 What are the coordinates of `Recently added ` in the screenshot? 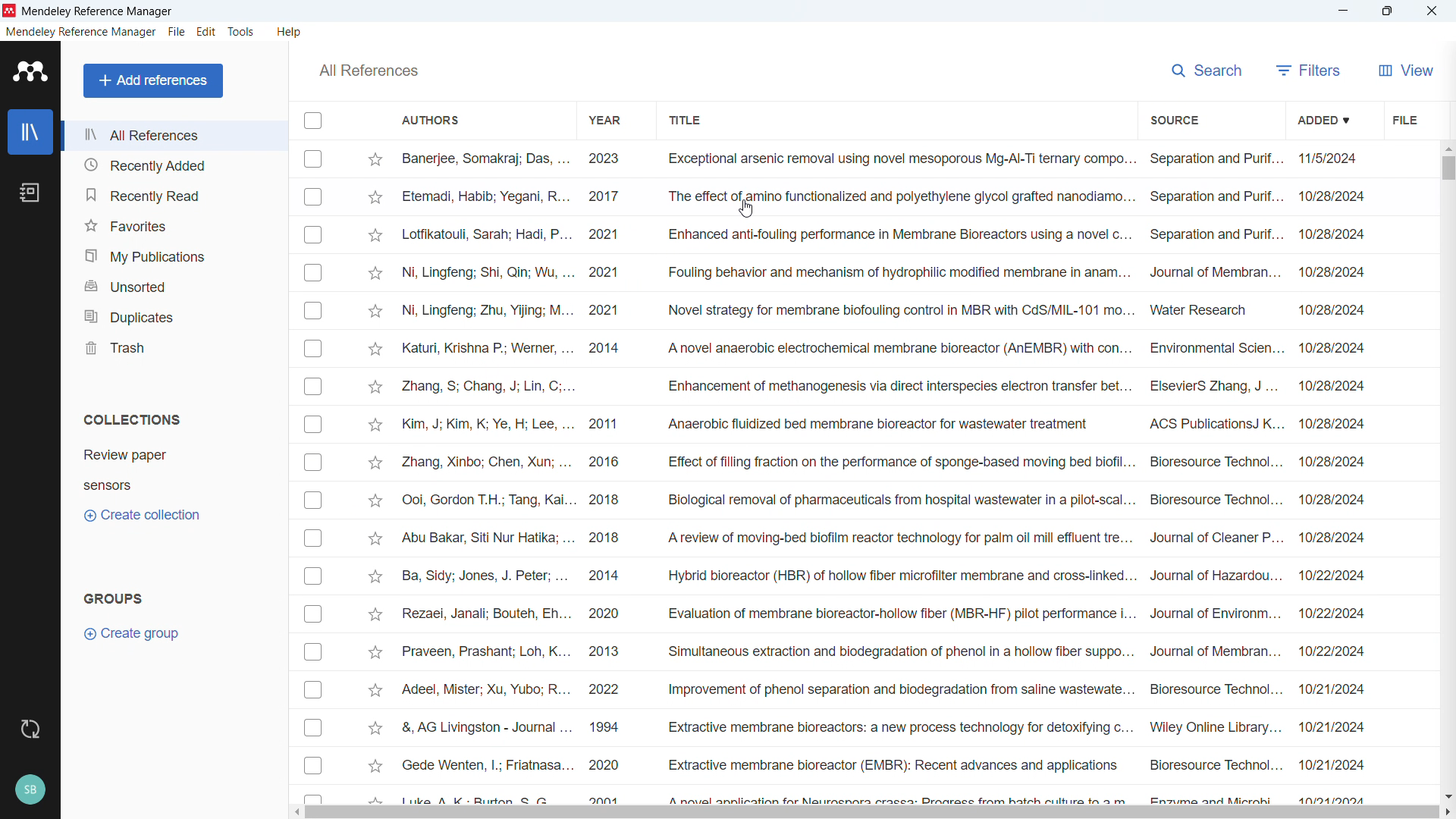 It's located at (173, 165).